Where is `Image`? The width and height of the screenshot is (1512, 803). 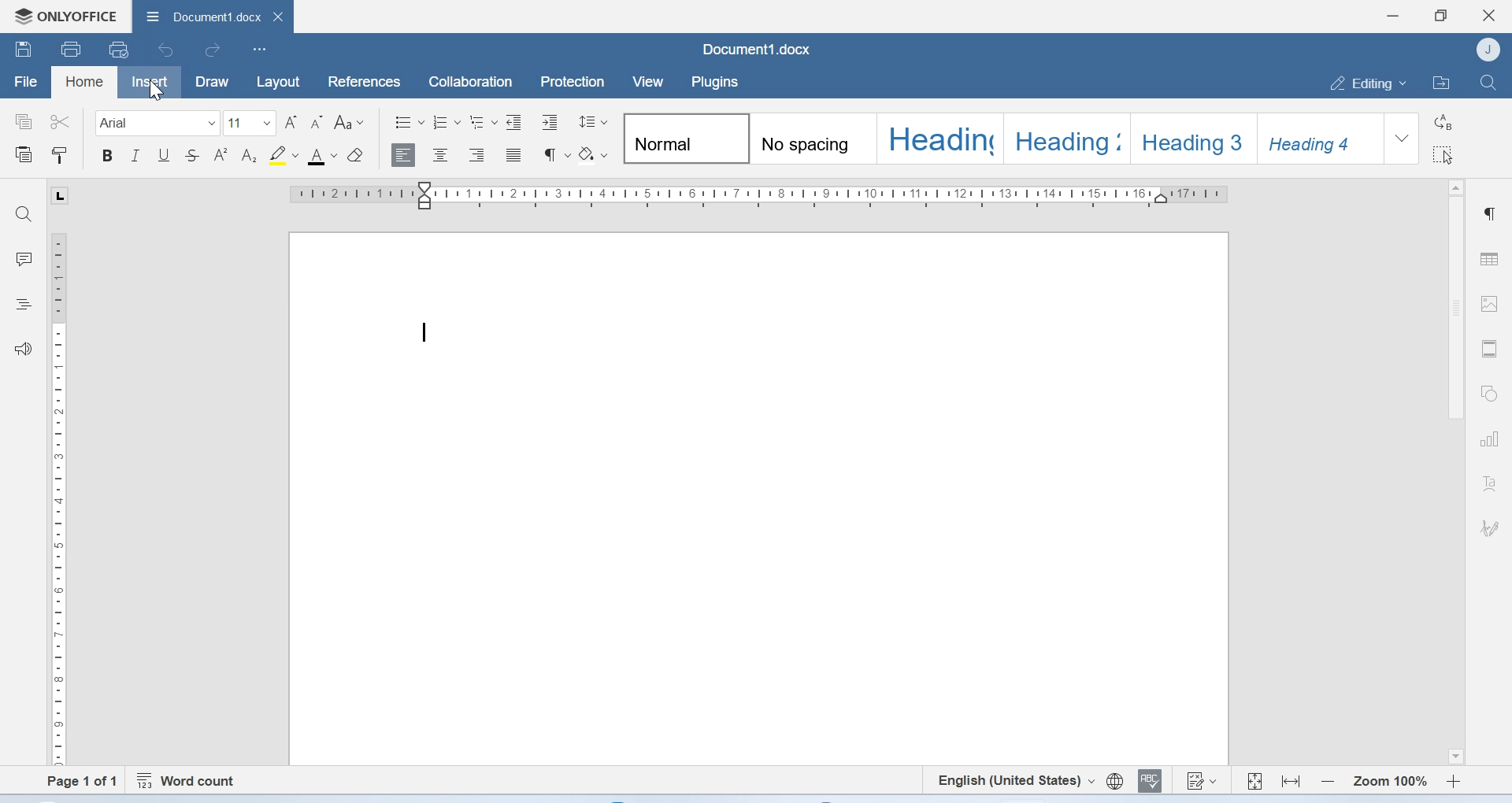
Image is located at coordinates (1492, 306).